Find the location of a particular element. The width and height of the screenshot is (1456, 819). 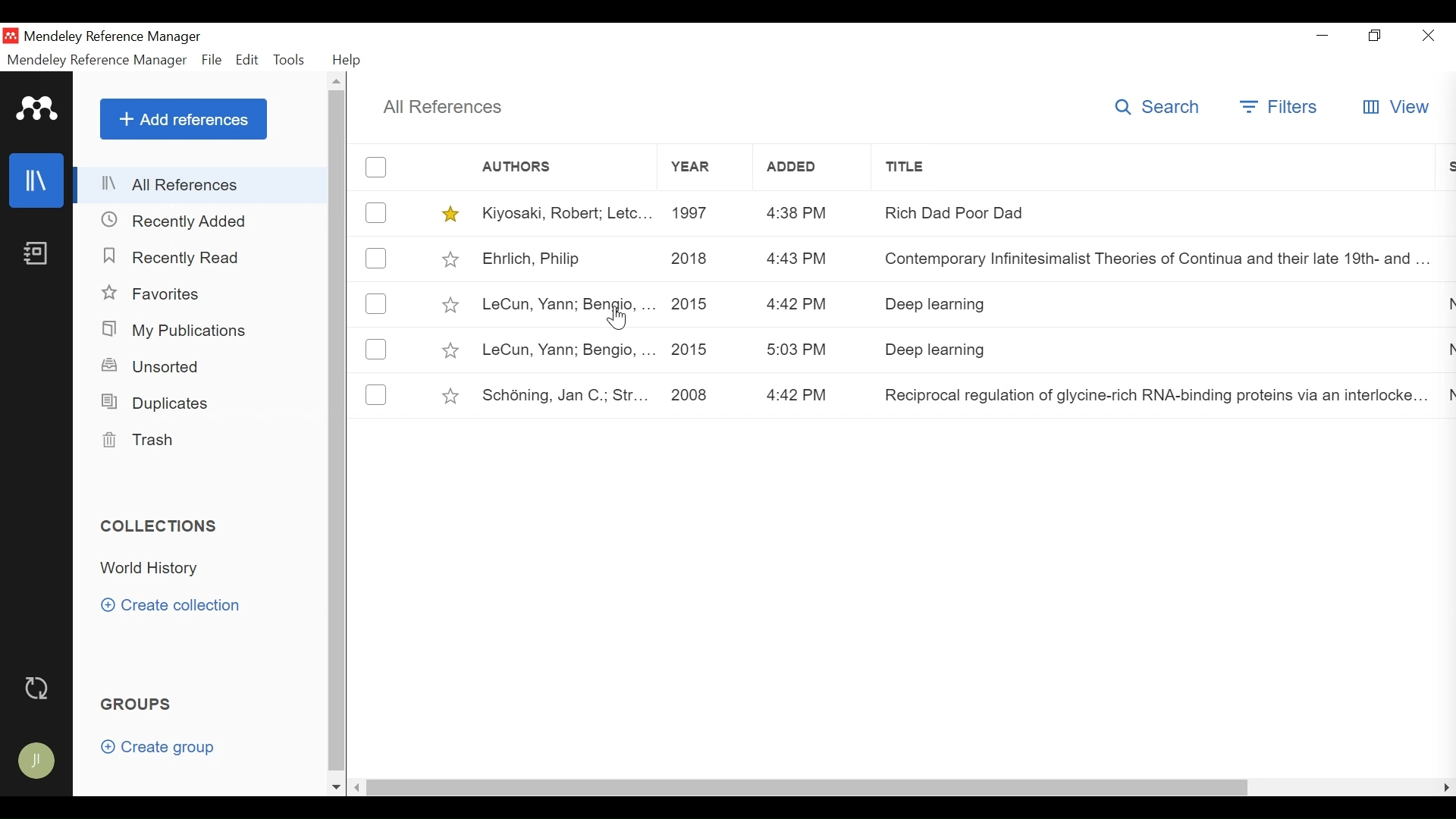

Groups is located at coordinates (140, 705).